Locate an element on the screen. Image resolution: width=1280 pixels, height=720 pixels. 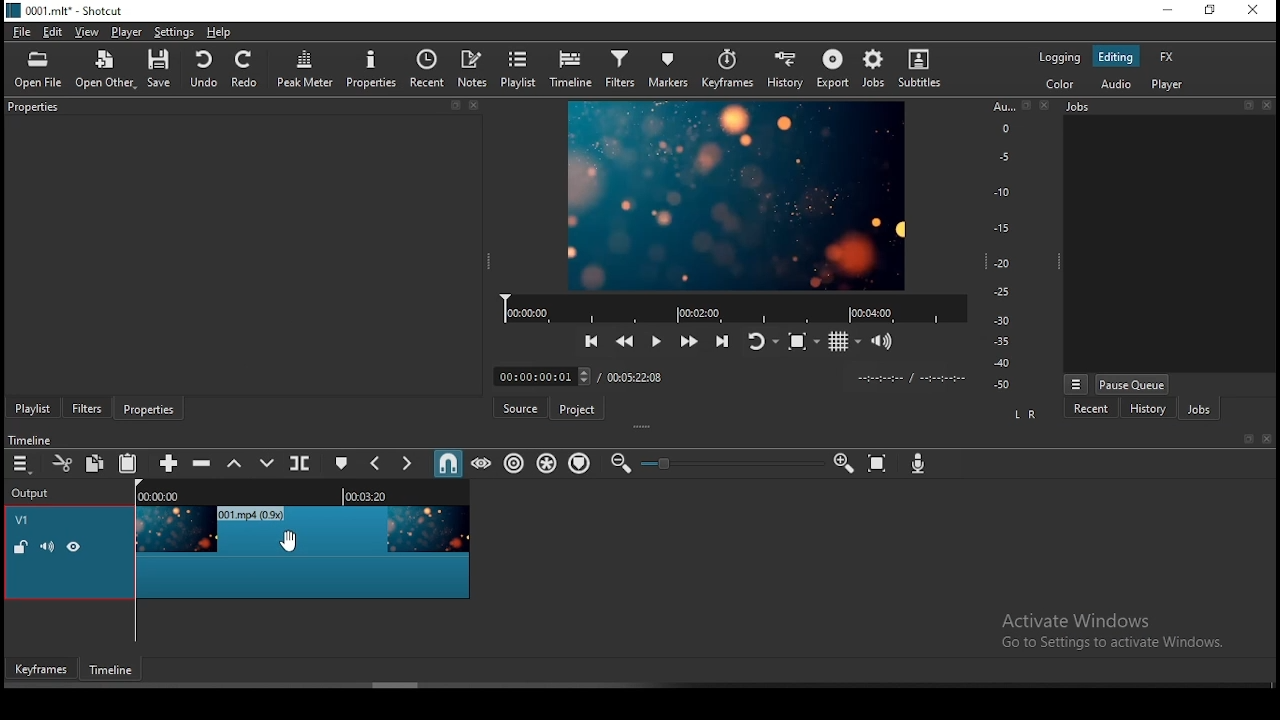
view is located at coordinates (87, 32).